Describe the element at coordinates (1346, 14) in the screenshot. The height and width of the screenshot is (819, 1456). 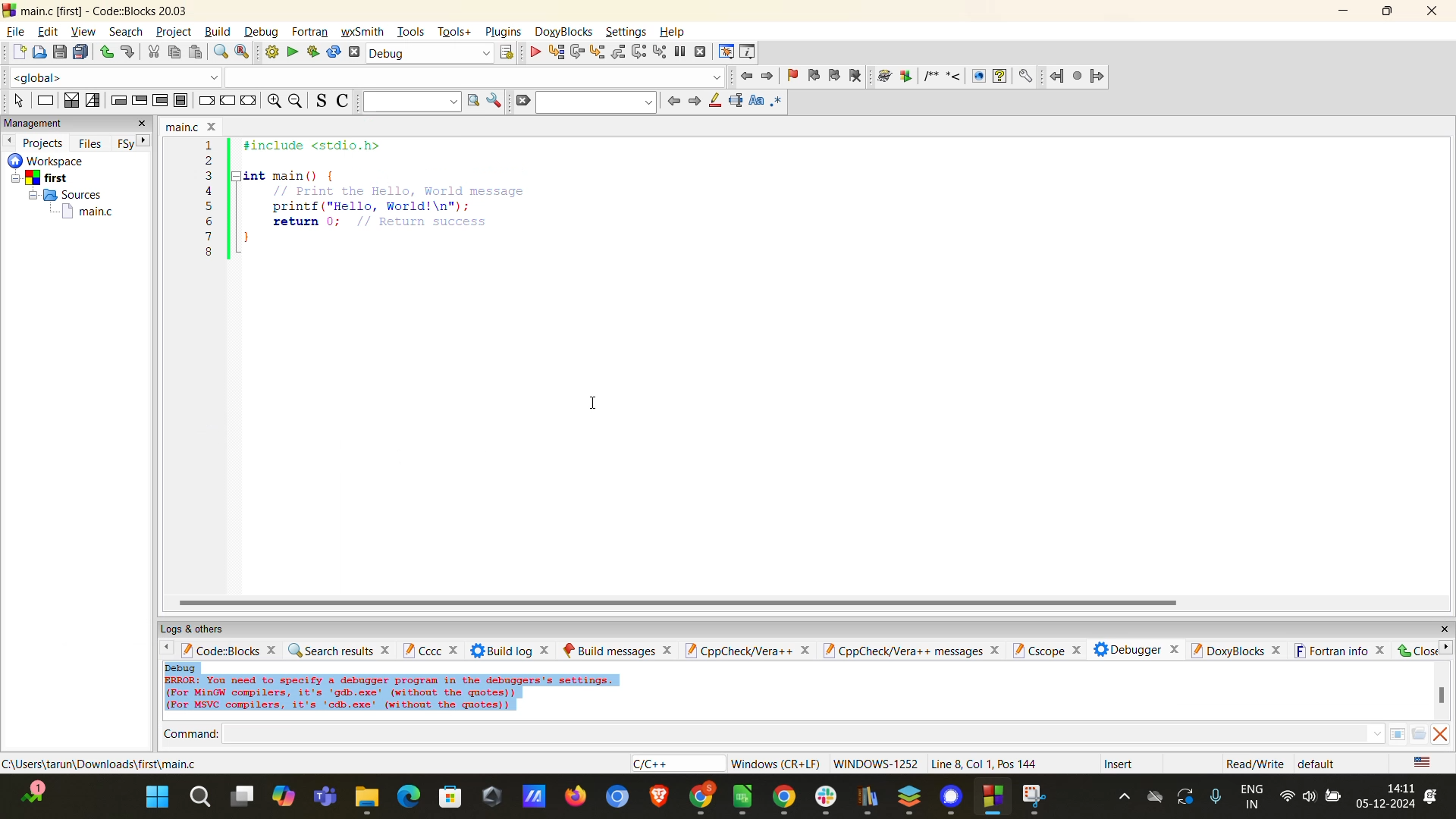
I see `minimize` at that location.